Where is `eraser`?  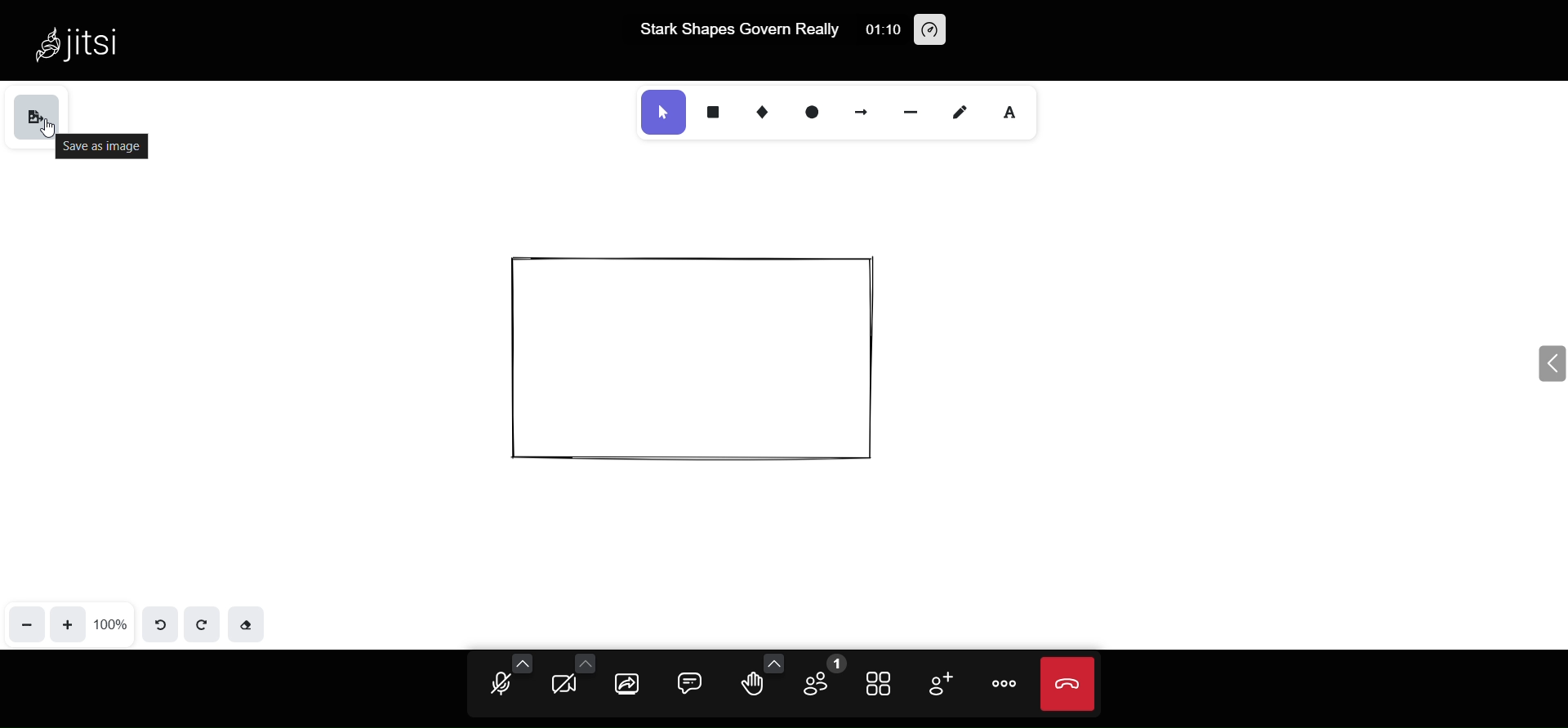
eraser is located at coordinates (248, 625).